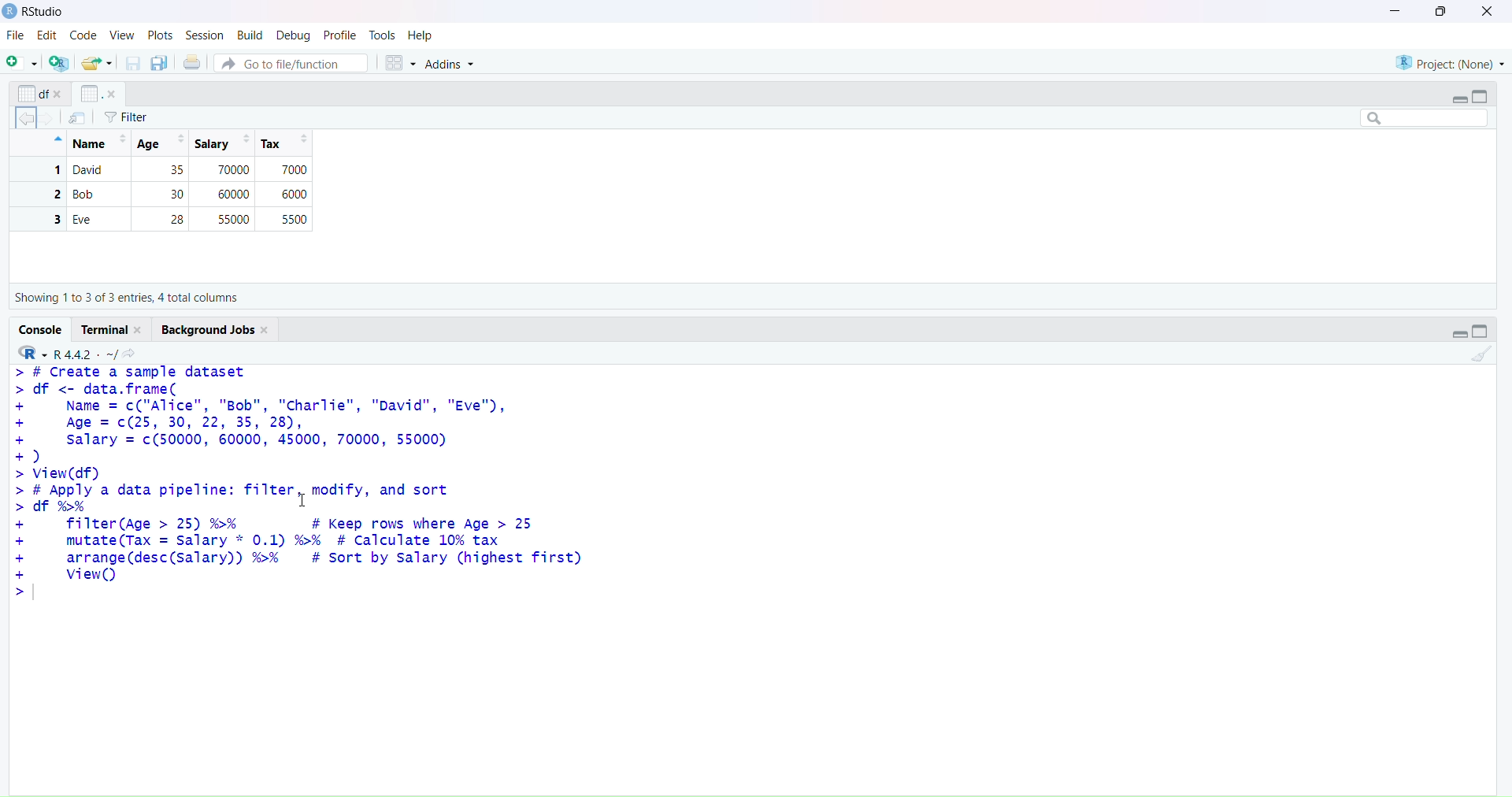  I want to click on build, so click(251, 35).